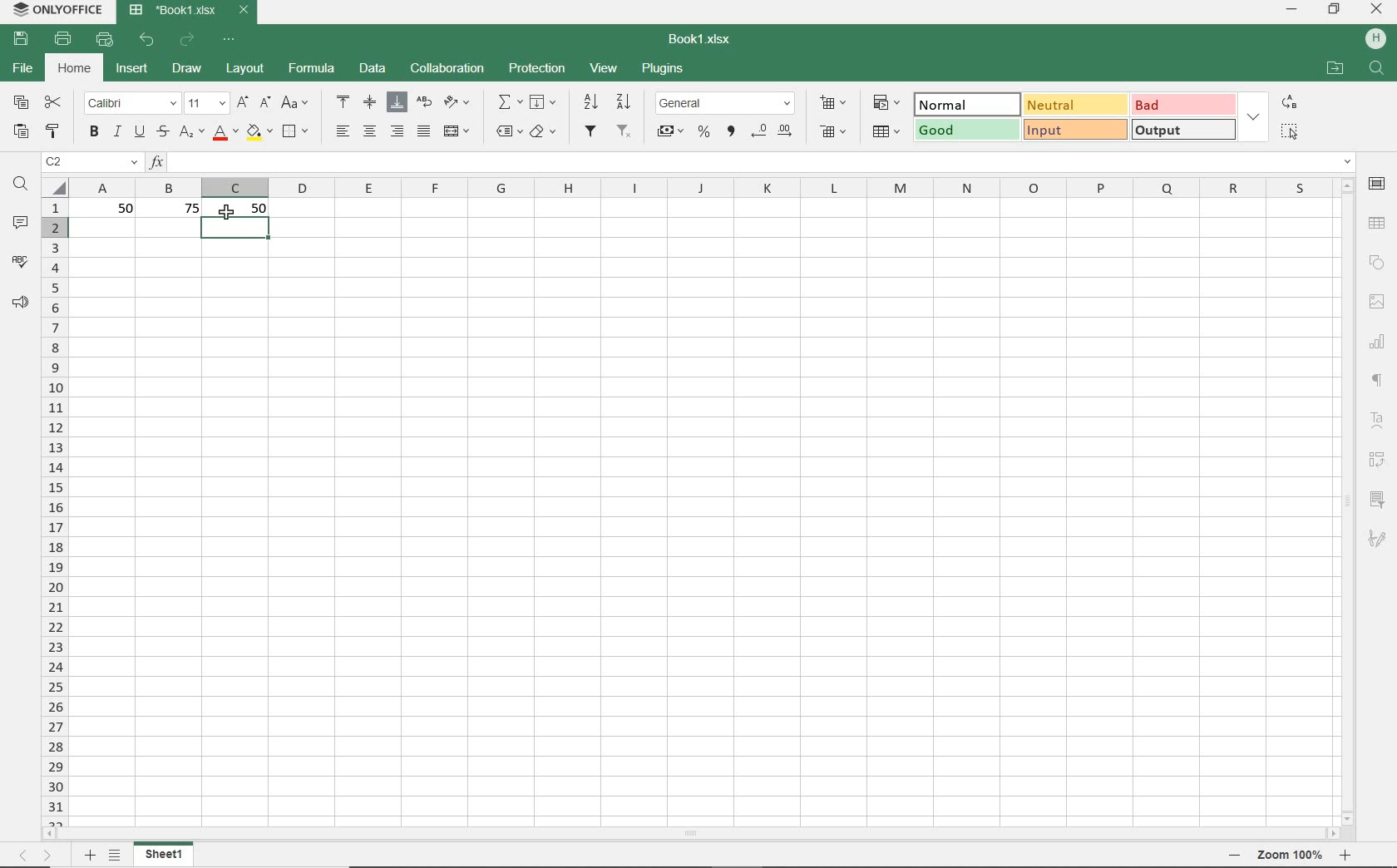  I want to click on increment font size, so click(243, 101).